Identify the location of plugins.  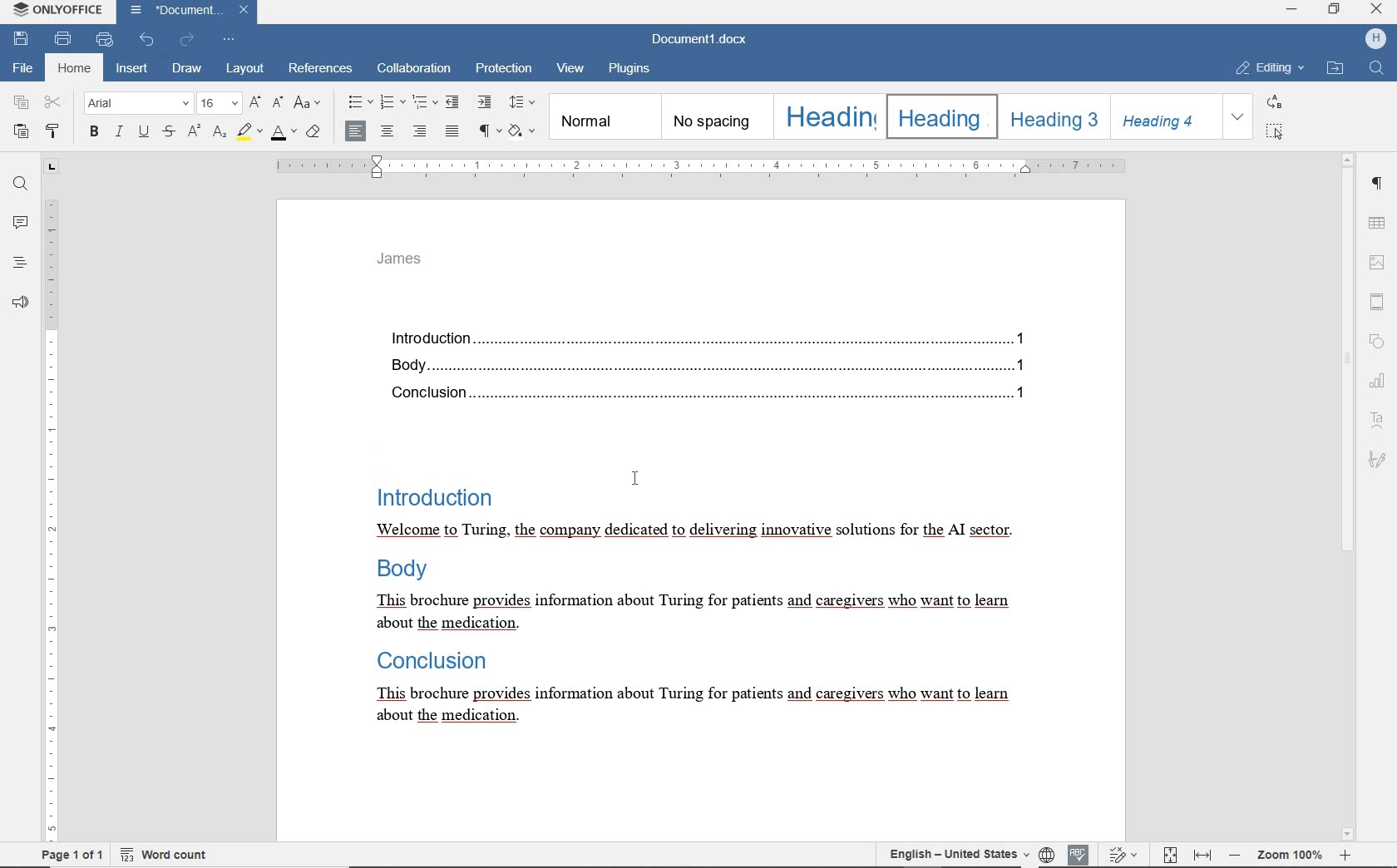
(629, 69).